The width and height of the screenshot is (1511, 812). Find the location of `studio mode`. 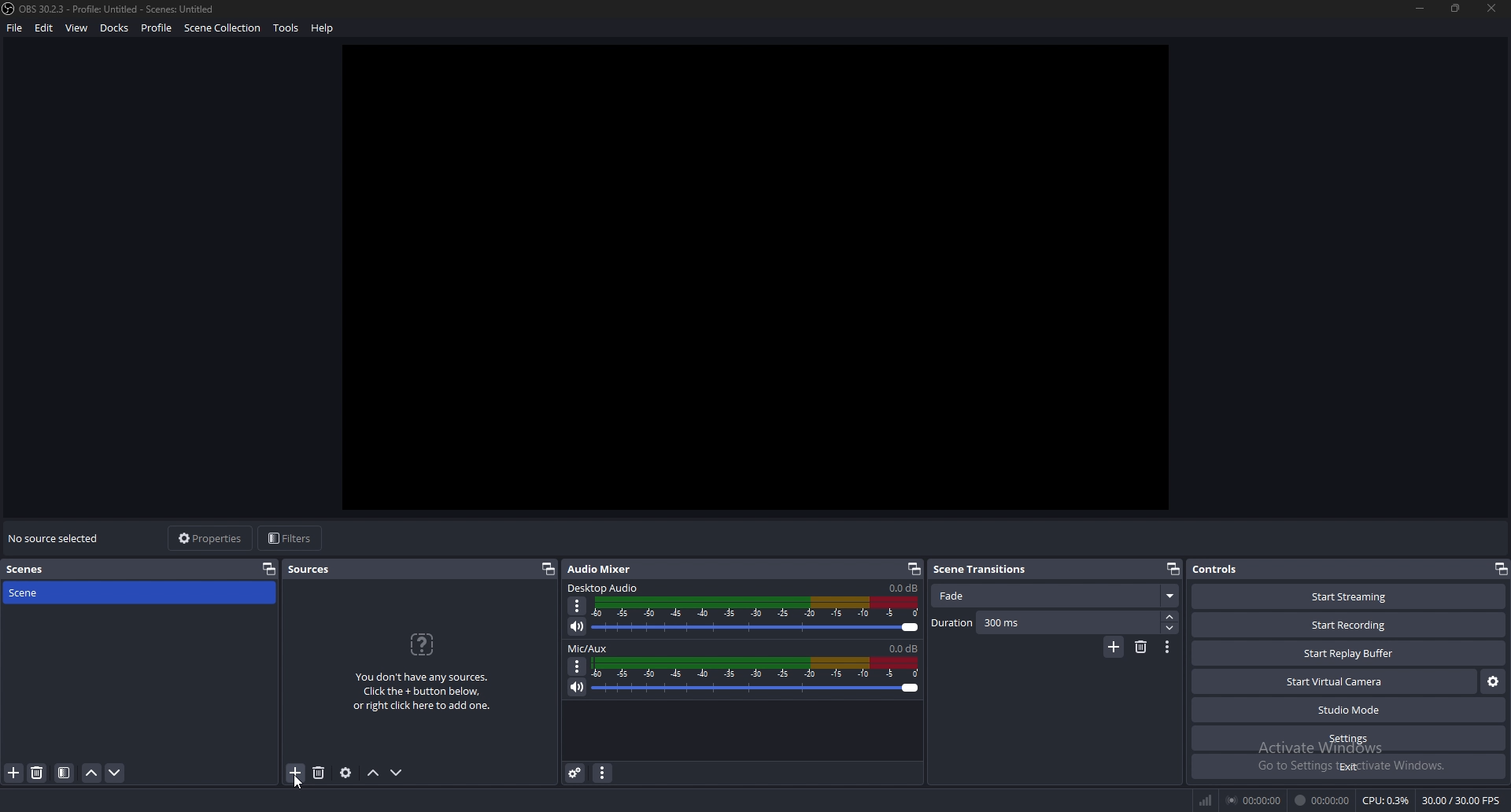

studio mode is located at coordinates (1347, 710).